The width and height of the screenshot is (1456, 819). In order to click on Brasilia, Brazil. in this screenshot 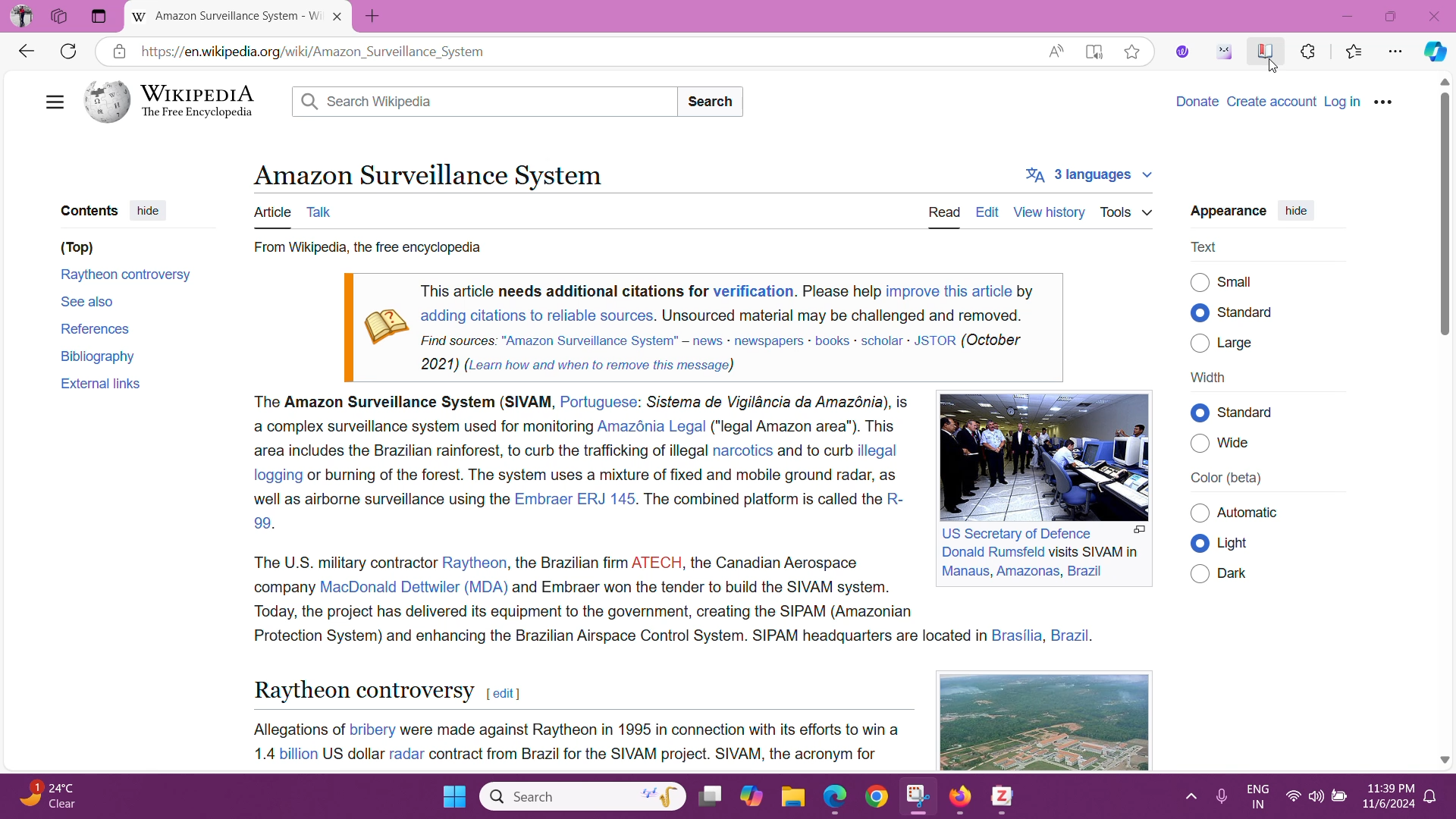, I will do `click(1045, 635)`.